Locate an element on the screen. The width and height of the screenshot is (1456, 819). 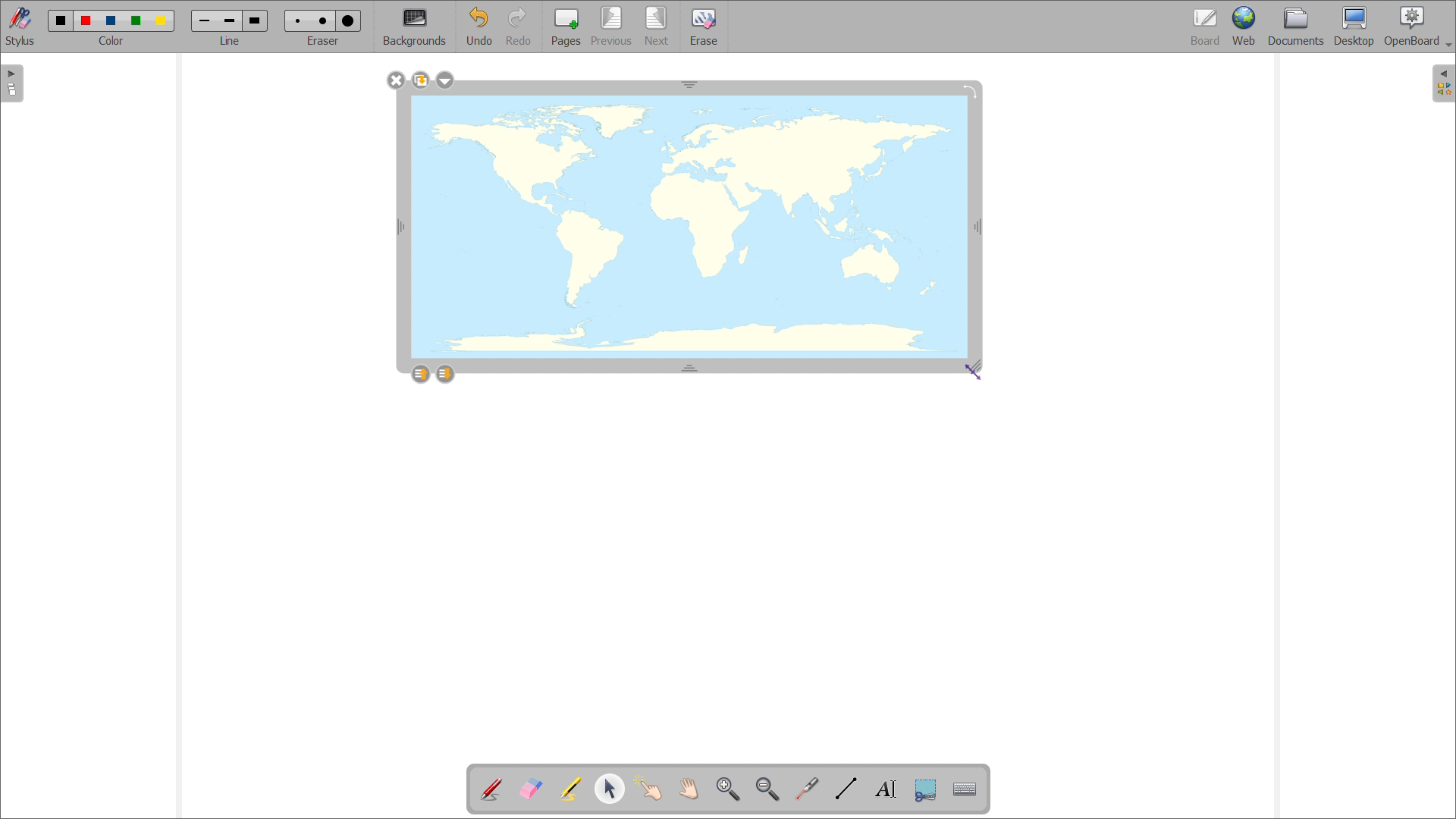
yellow is located at coordinates (162, 21).